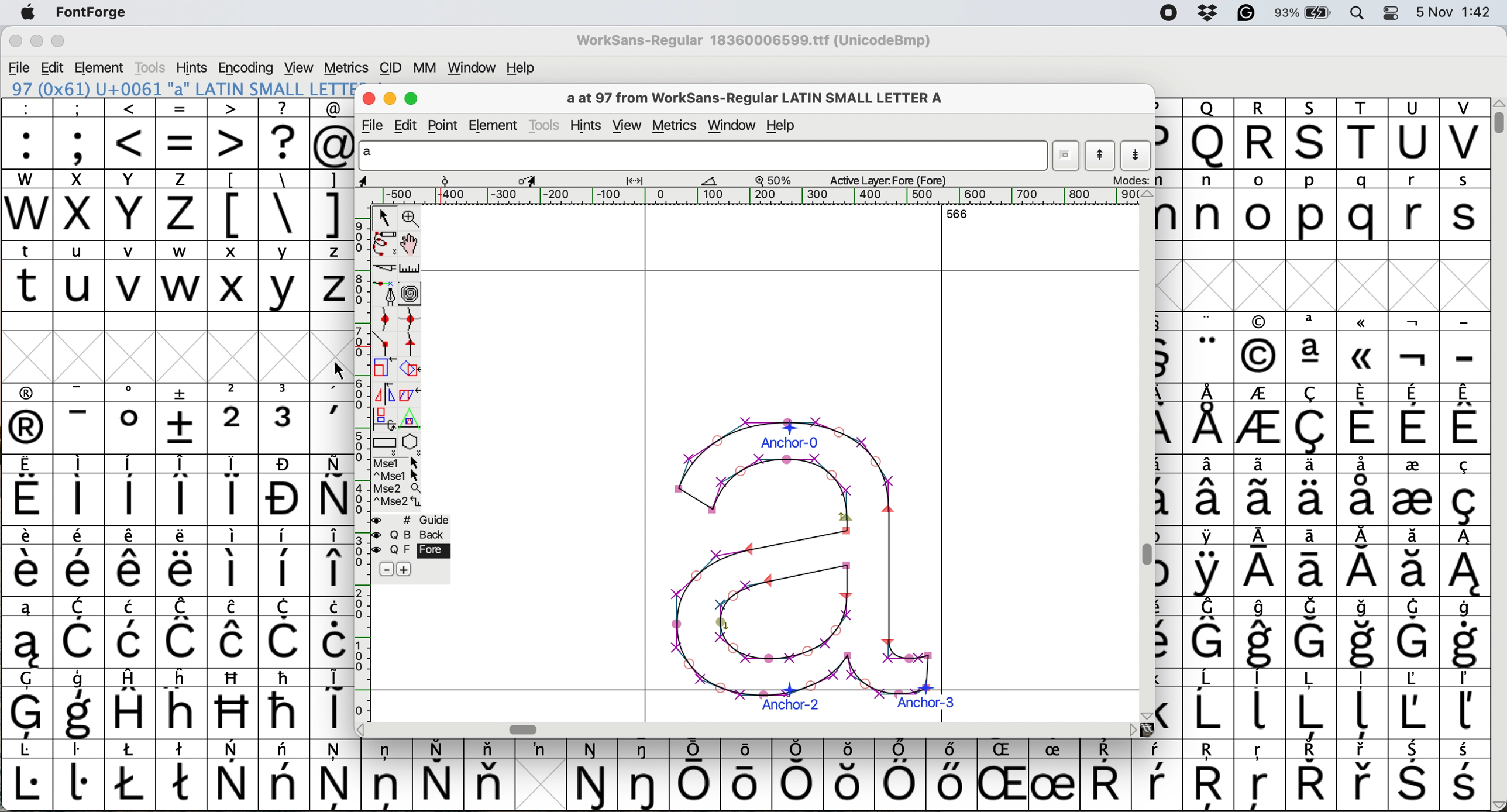 This screenshot has width=1507, height=812. What do you see at coordinates (15, 43) in the screenshot?
I see `close` at bounding box center [15, 43].